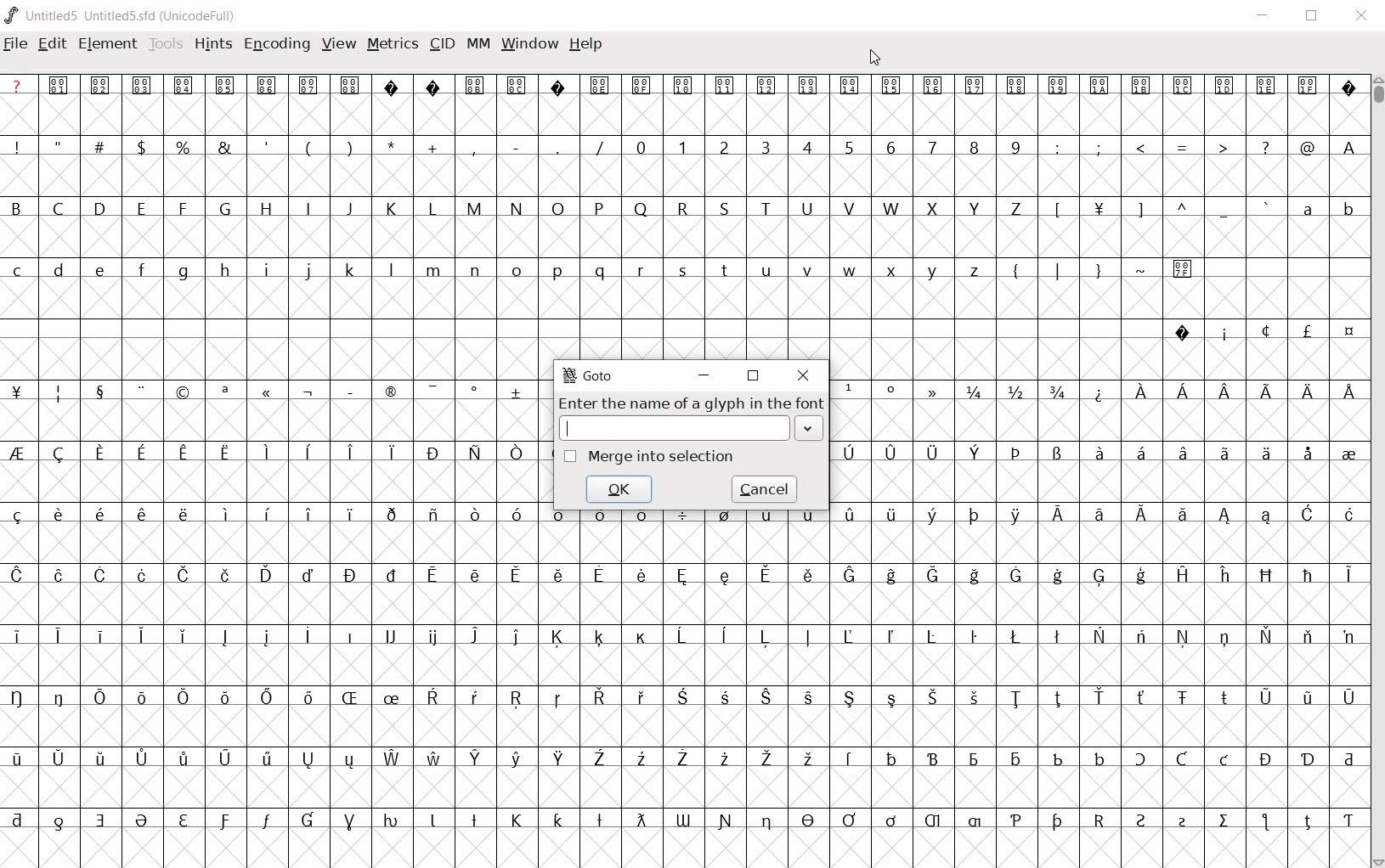  Describe the element at coordinates (21, 697) in the screenshot. I see `Symbol` at that location.